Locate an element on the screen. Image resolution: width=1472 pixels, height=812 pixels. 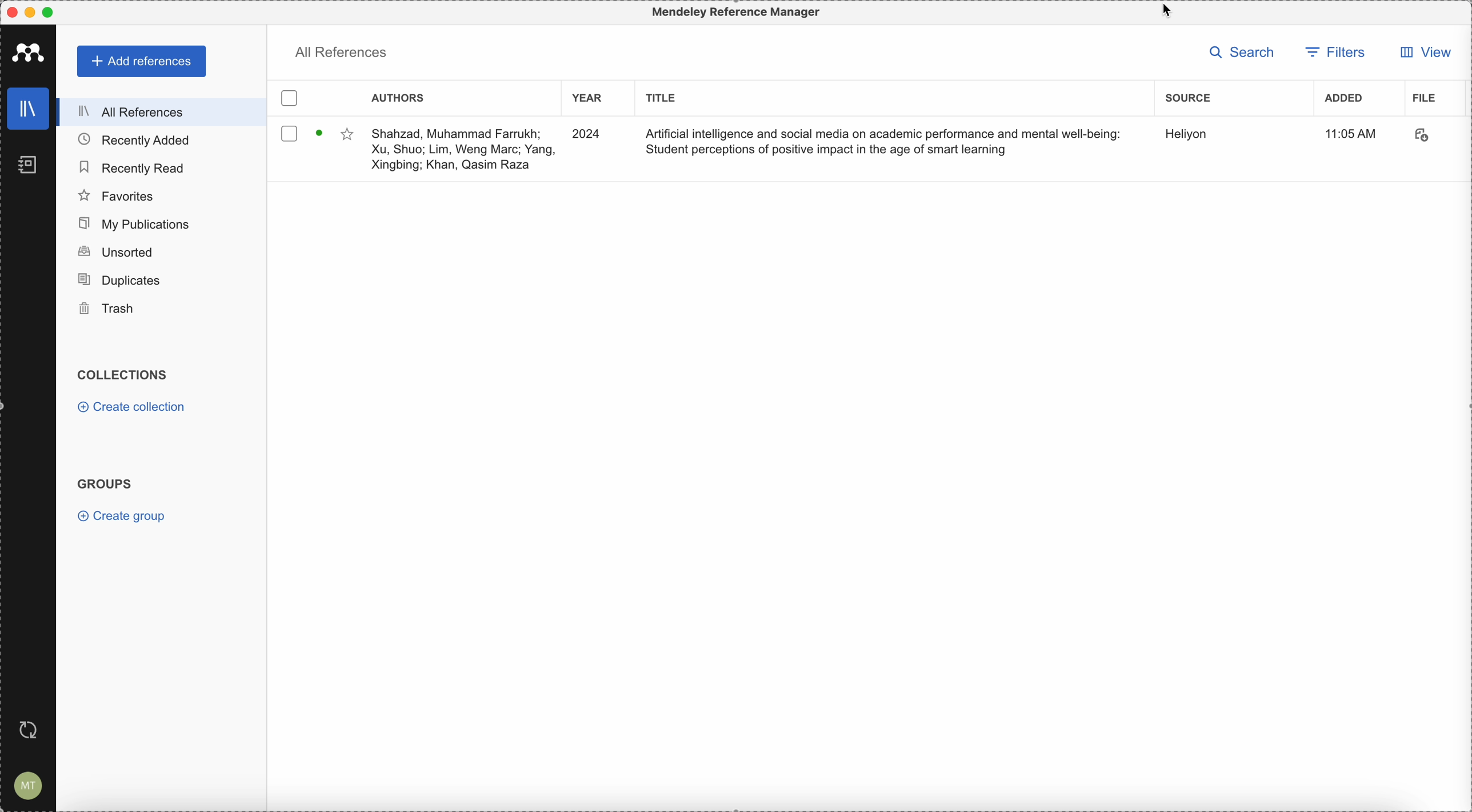
maximize is located at coordinates (49, 12).